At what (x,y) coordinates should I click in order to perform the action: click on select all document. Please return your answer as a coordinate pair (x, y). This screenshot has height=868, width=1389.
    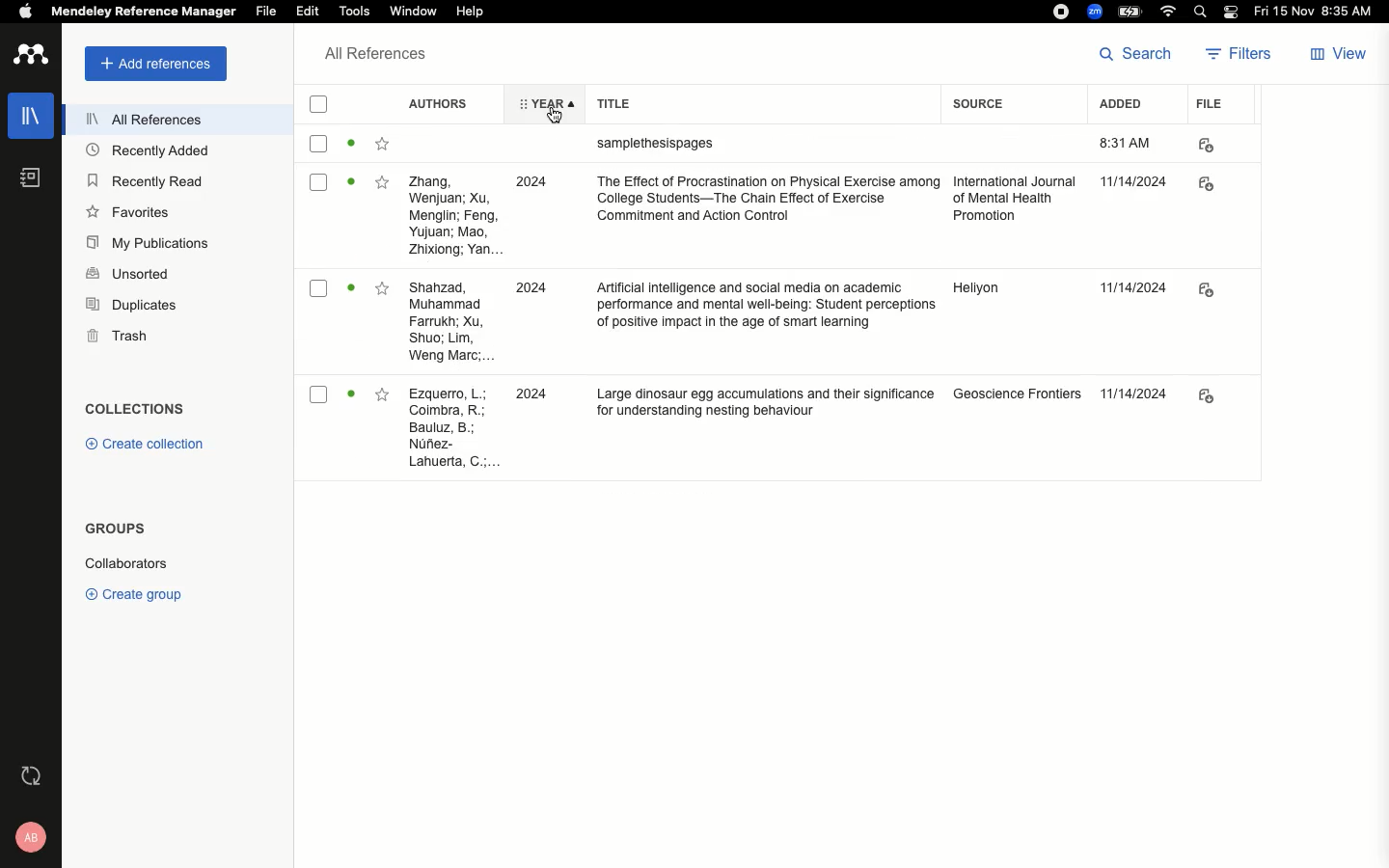
    Looking at the image, I should click on (323, 104).